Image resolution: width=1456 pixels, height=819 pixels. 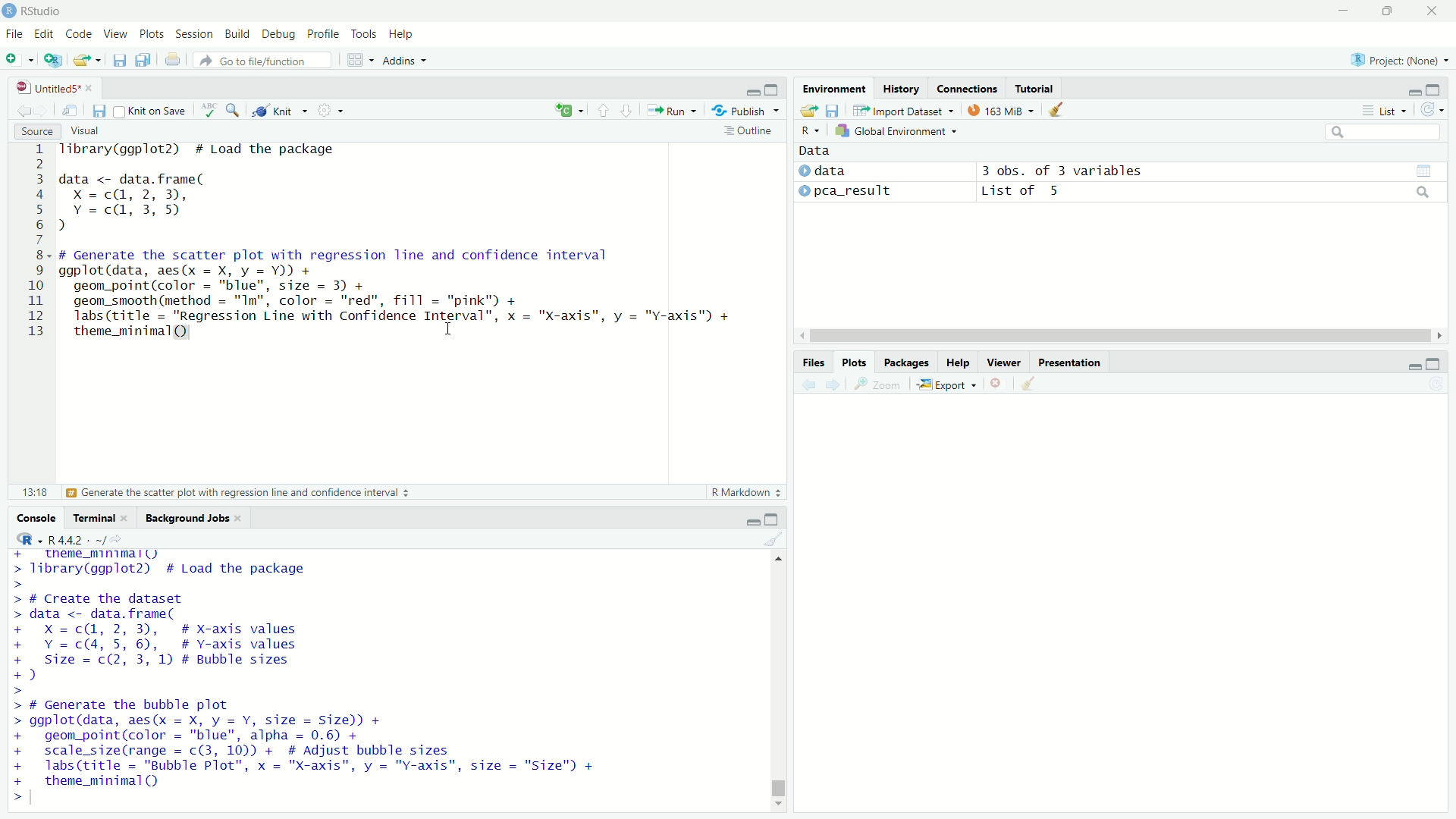 What do you see at coordinates (569, 109) in the screenshot?
I see `insert a new code/chunk` at bounding box center [569, 109].